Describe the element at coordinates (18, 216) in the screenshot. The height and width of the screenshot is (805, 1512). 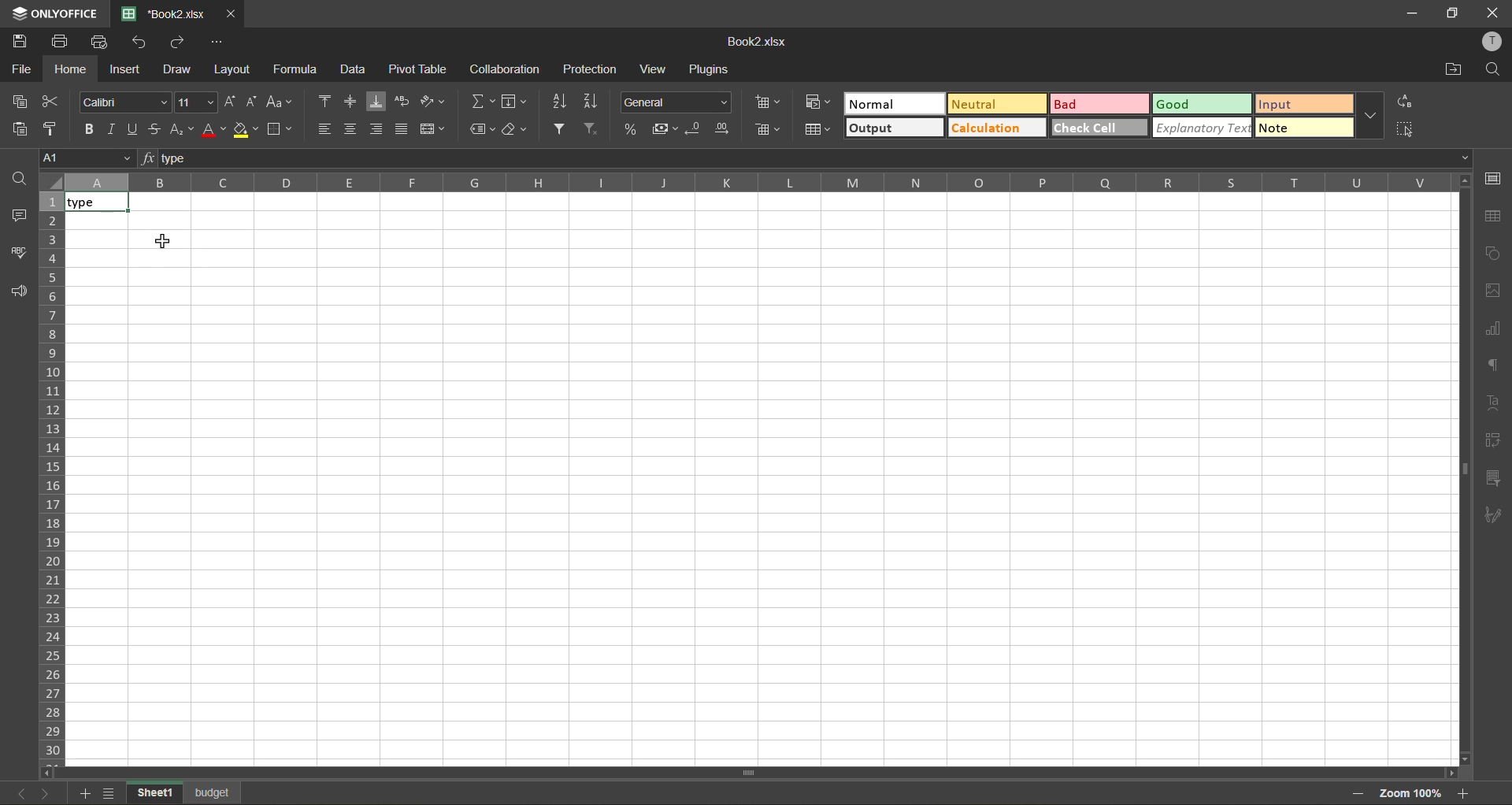
I see `comments` at that location.